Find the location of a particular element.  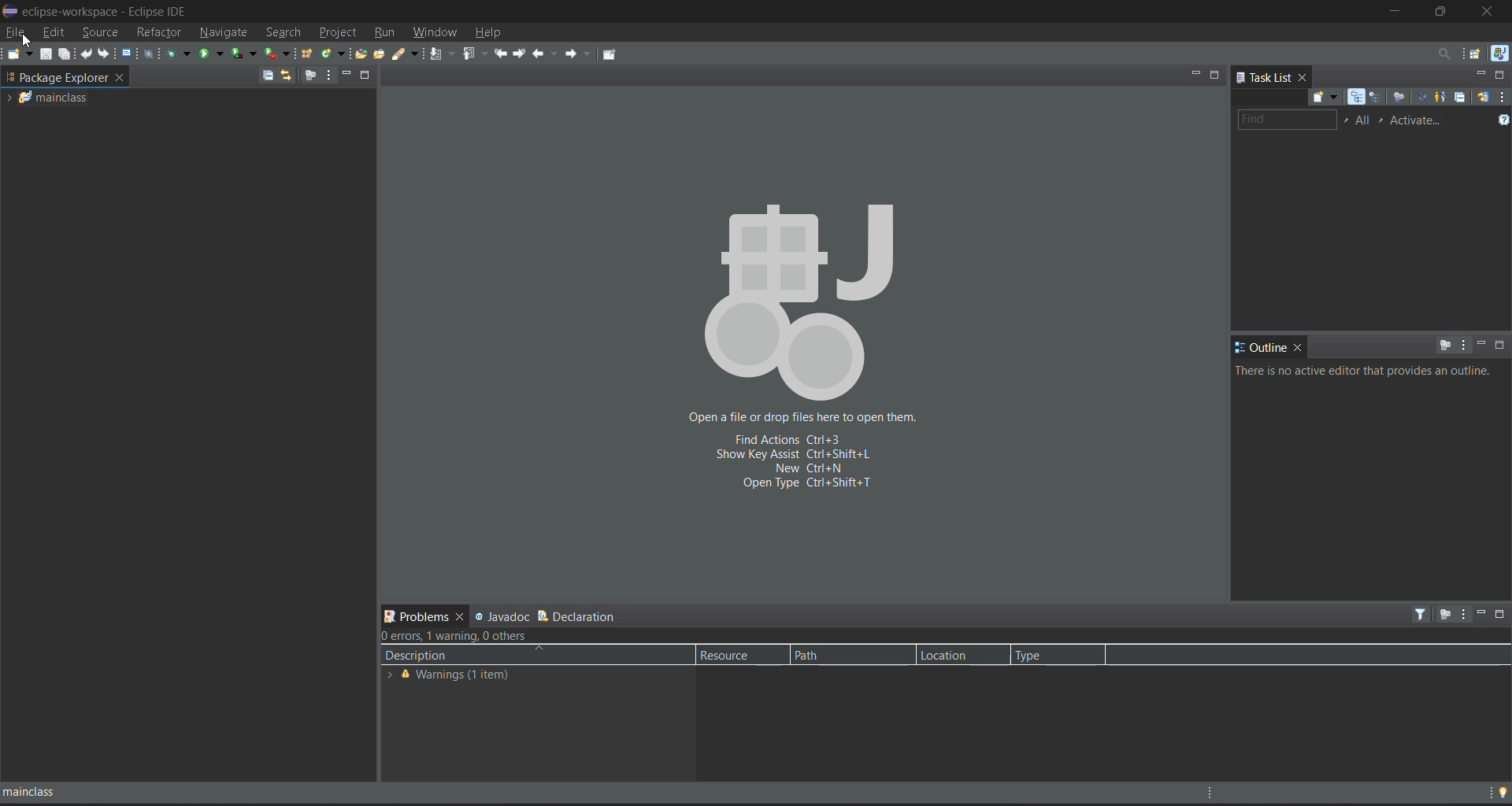

outline is located at coordinates (1261, 348).